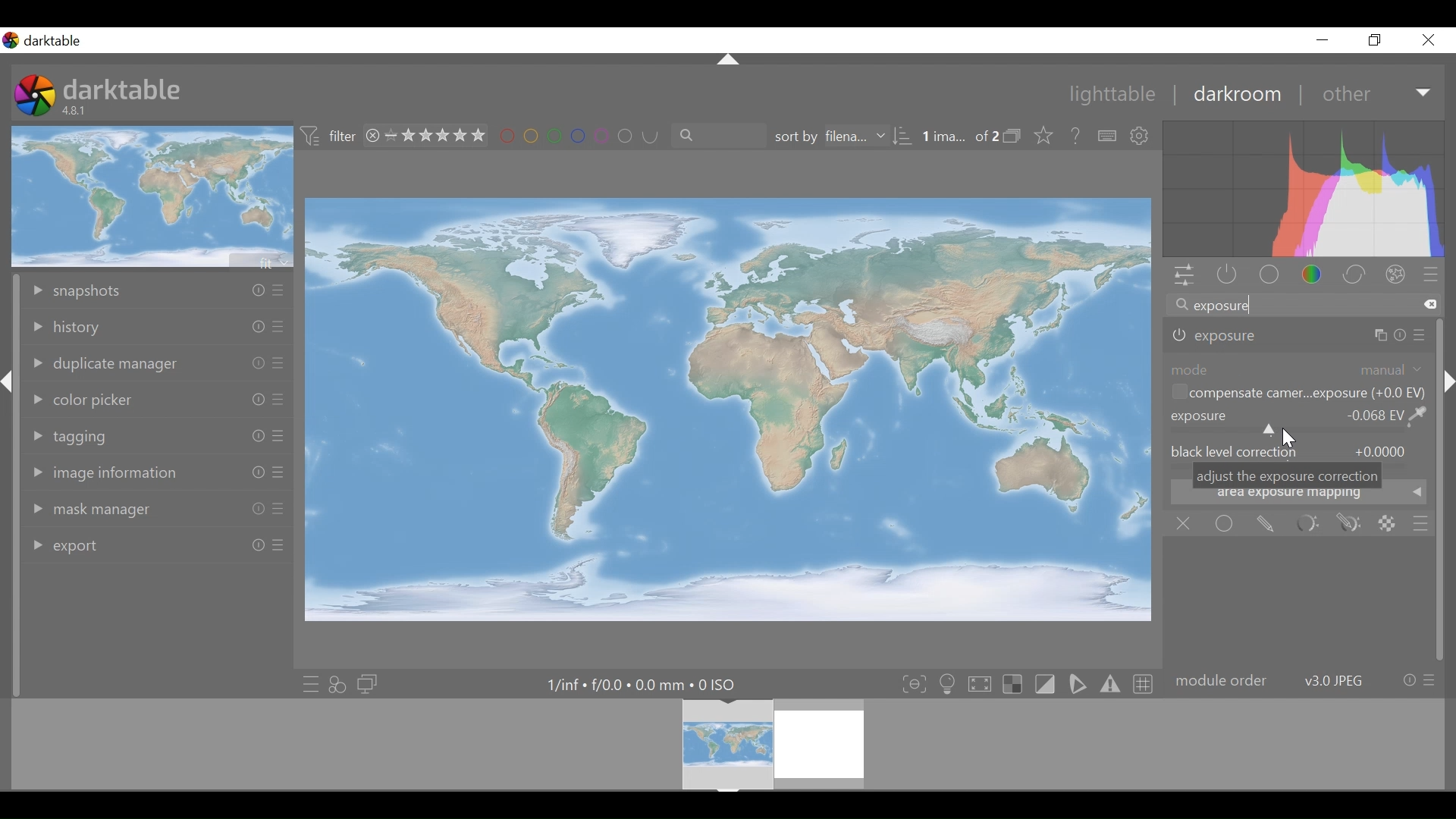  Describe the element at coordinates (1299, 420) in the screenshot. I see `exposure correction` at that location.